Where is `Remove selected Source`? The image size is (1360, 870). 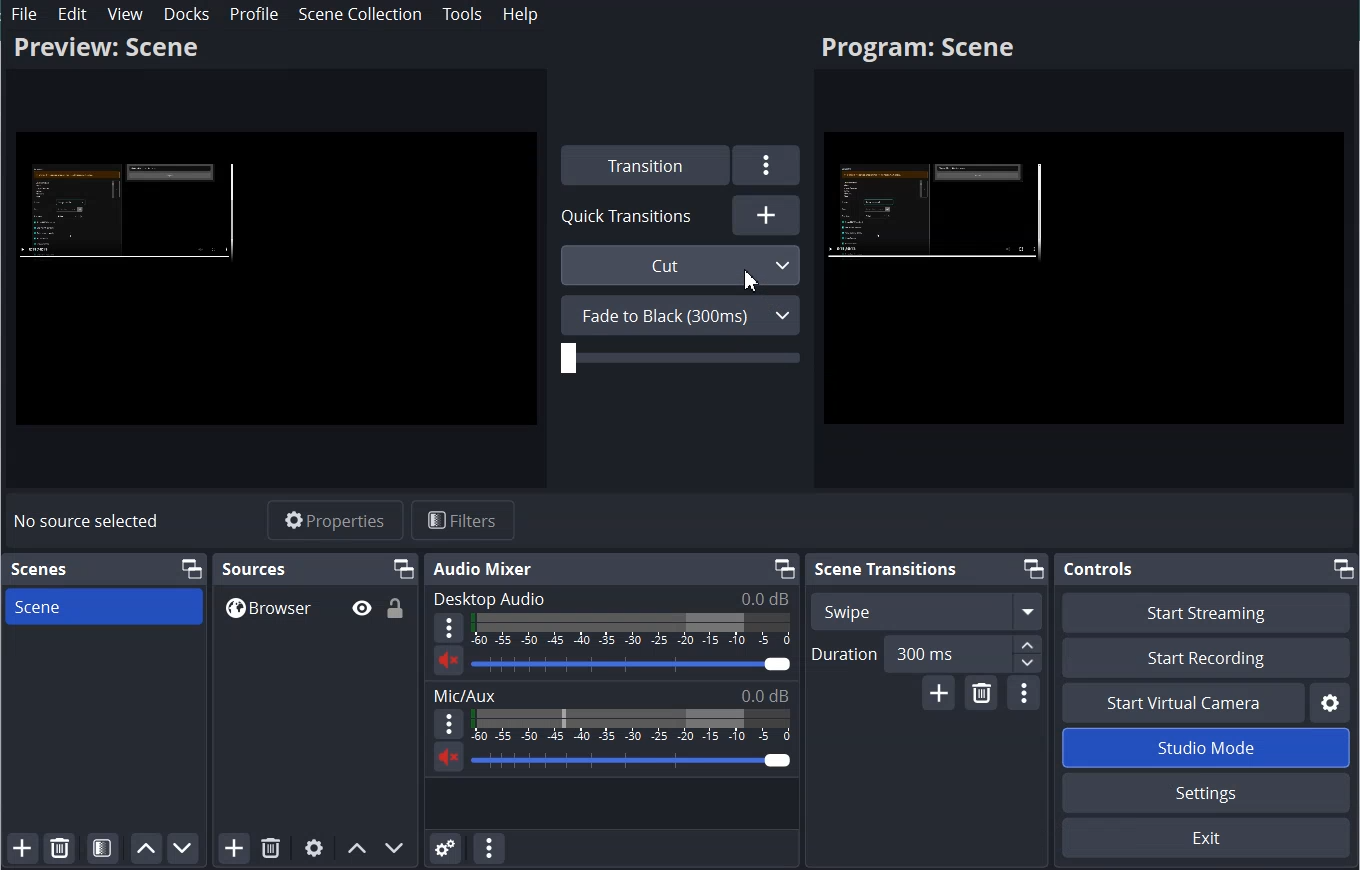 Remove selected Source is located at coordinates (271, 848).